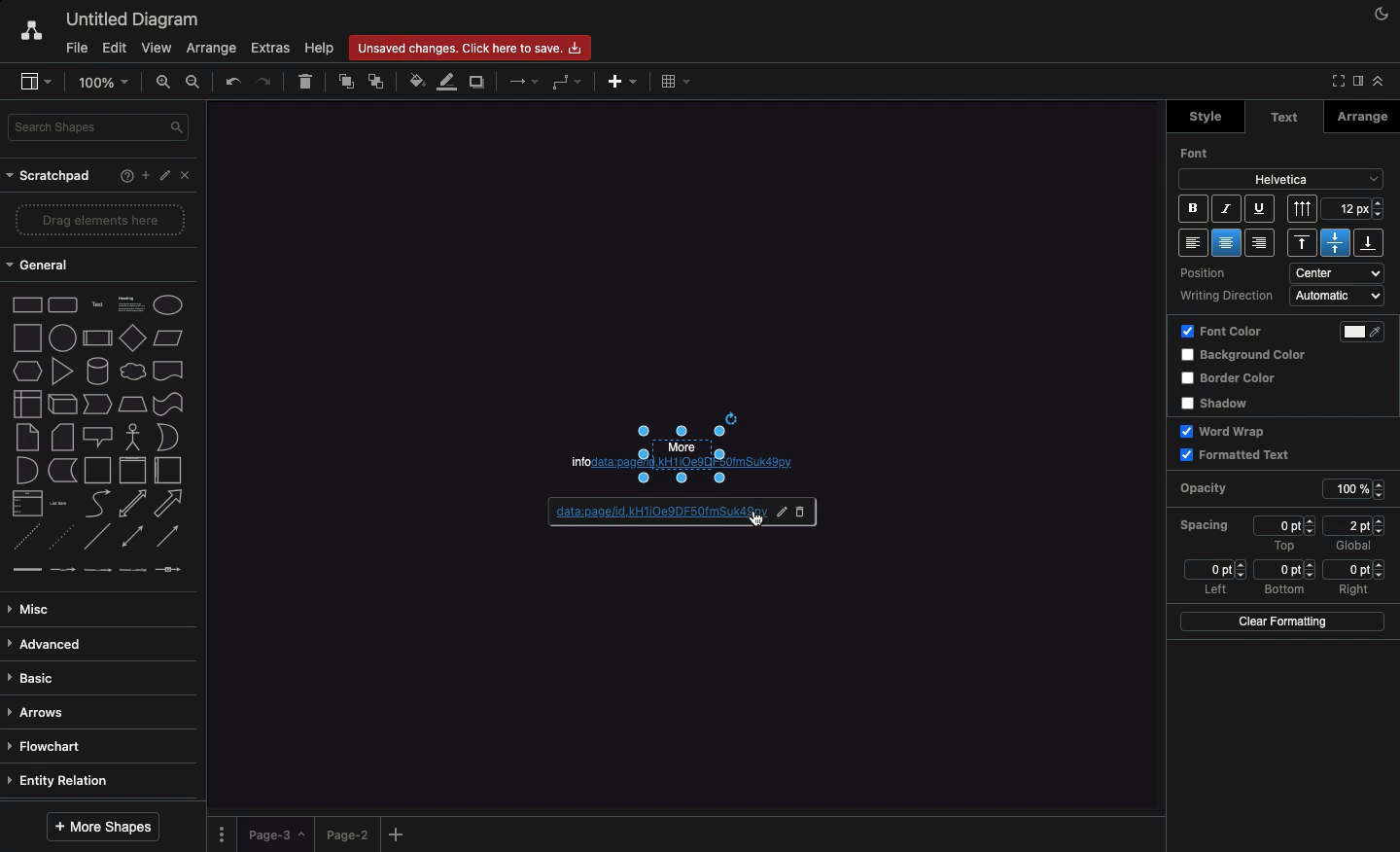 The height and width of the screenshot is (852, 1400). I want to click on process, so click(97, 338).